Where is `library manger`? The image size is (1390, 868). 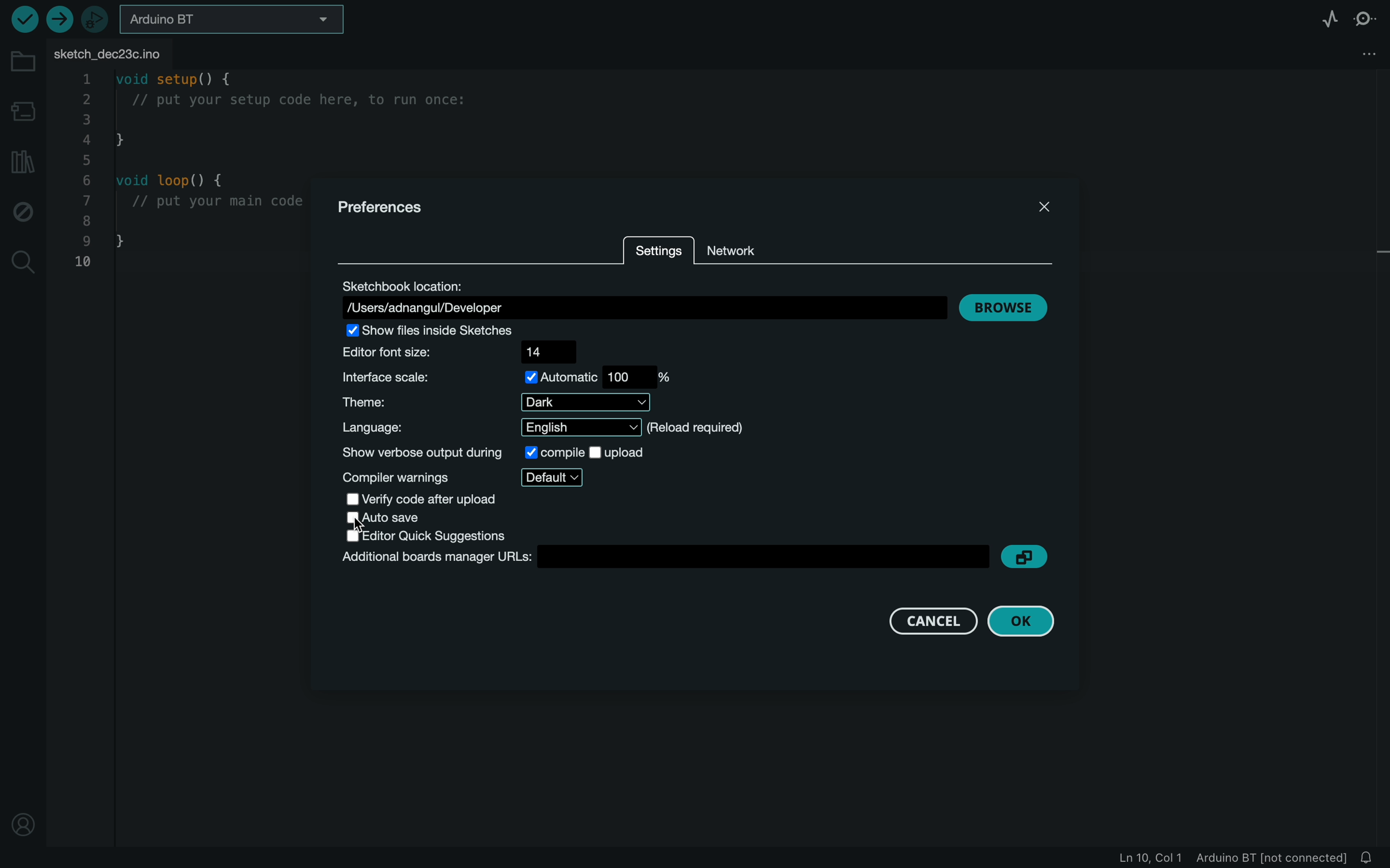 library manger is located at coordinates (24, 160).